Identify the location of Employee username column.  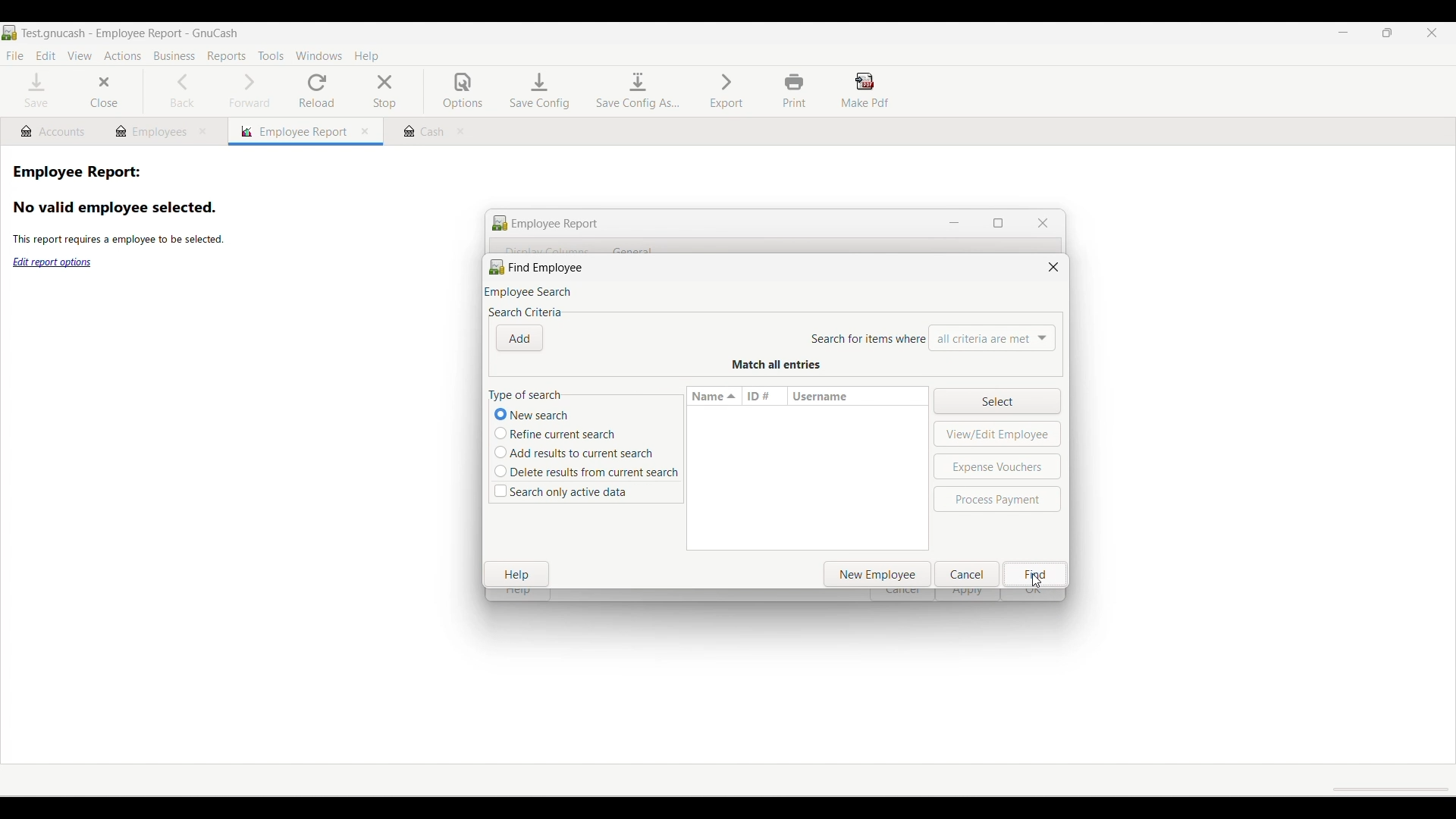
(855, 396).